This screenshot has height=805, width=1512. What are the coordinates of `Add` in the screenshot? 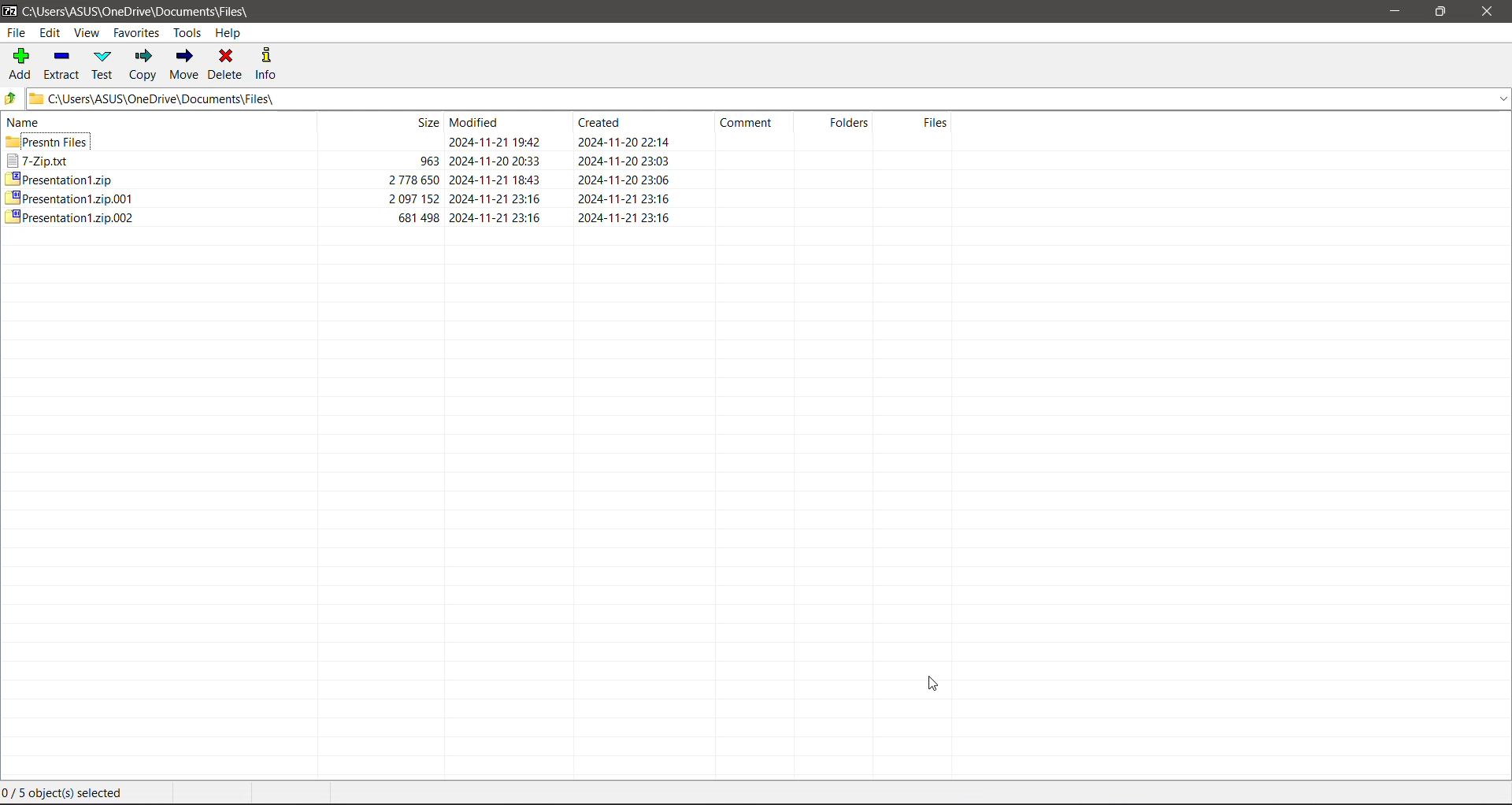 It's located at (19, 65).